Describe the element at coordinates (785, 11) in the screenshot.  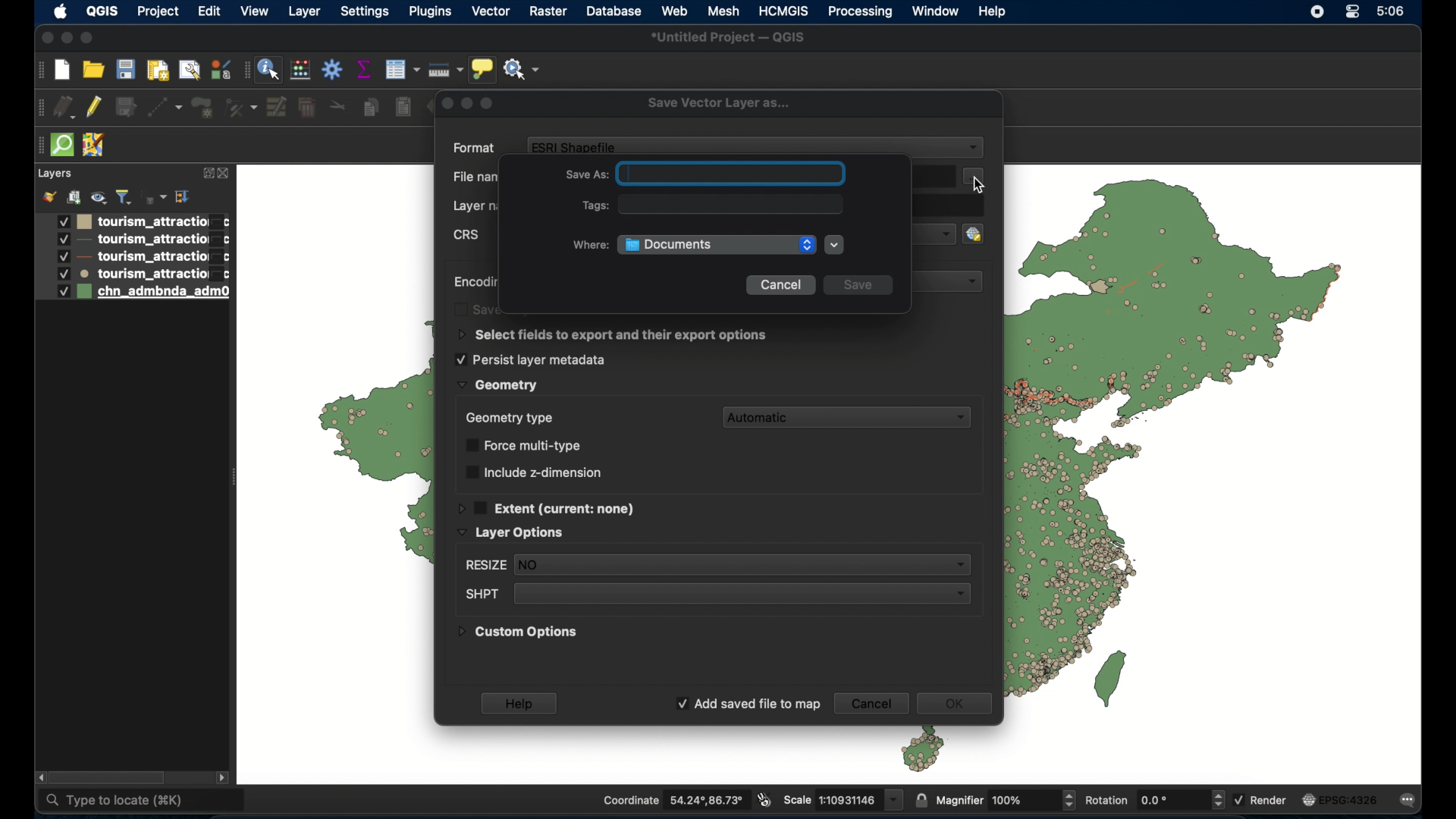
I see `HCMGIS` at that location.